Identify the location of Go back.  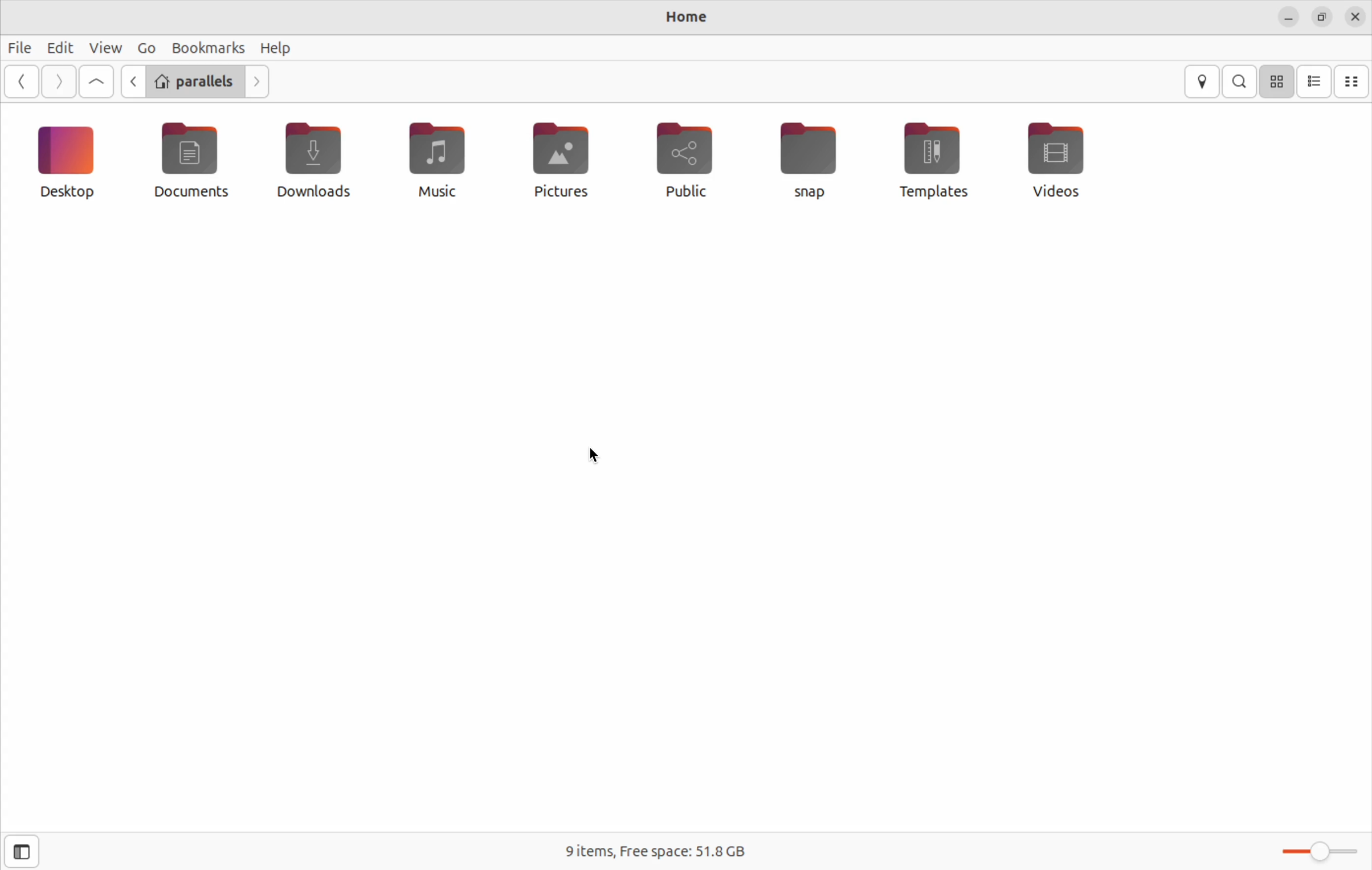
(20, 81).